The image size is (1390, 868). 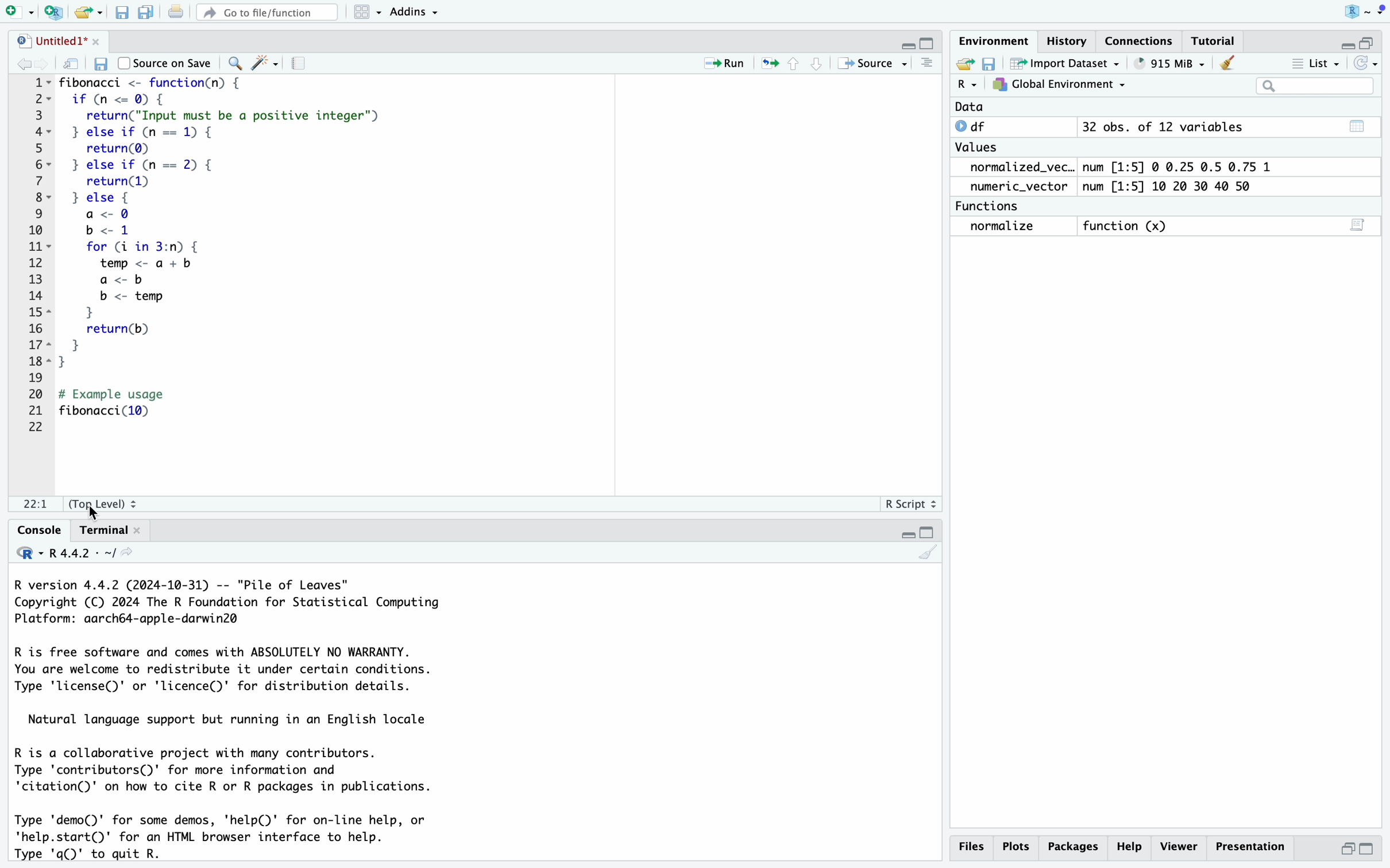 What do you see at coordinates (31, 530) in the screenshot?
I see `console` at bounding box center [31, 530].